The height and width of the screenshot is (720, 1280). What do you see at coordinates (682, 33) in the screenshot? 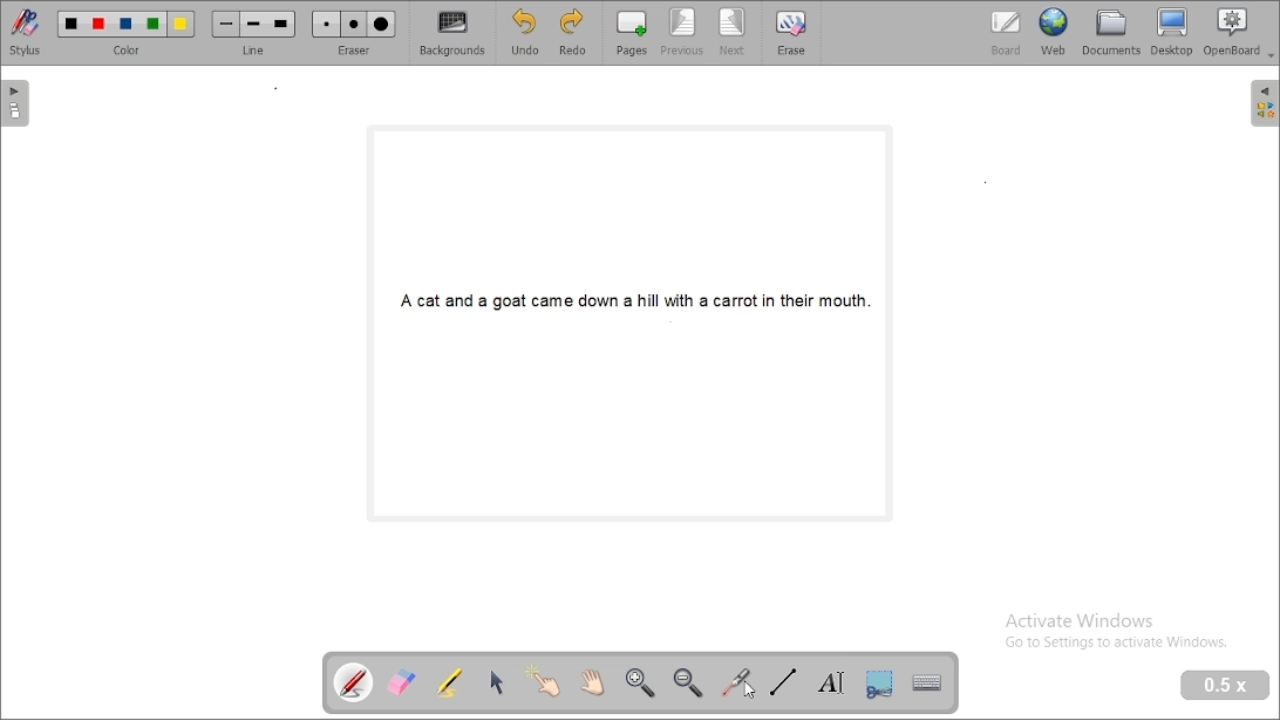
I see `previous` at bounding box center [682, 33].